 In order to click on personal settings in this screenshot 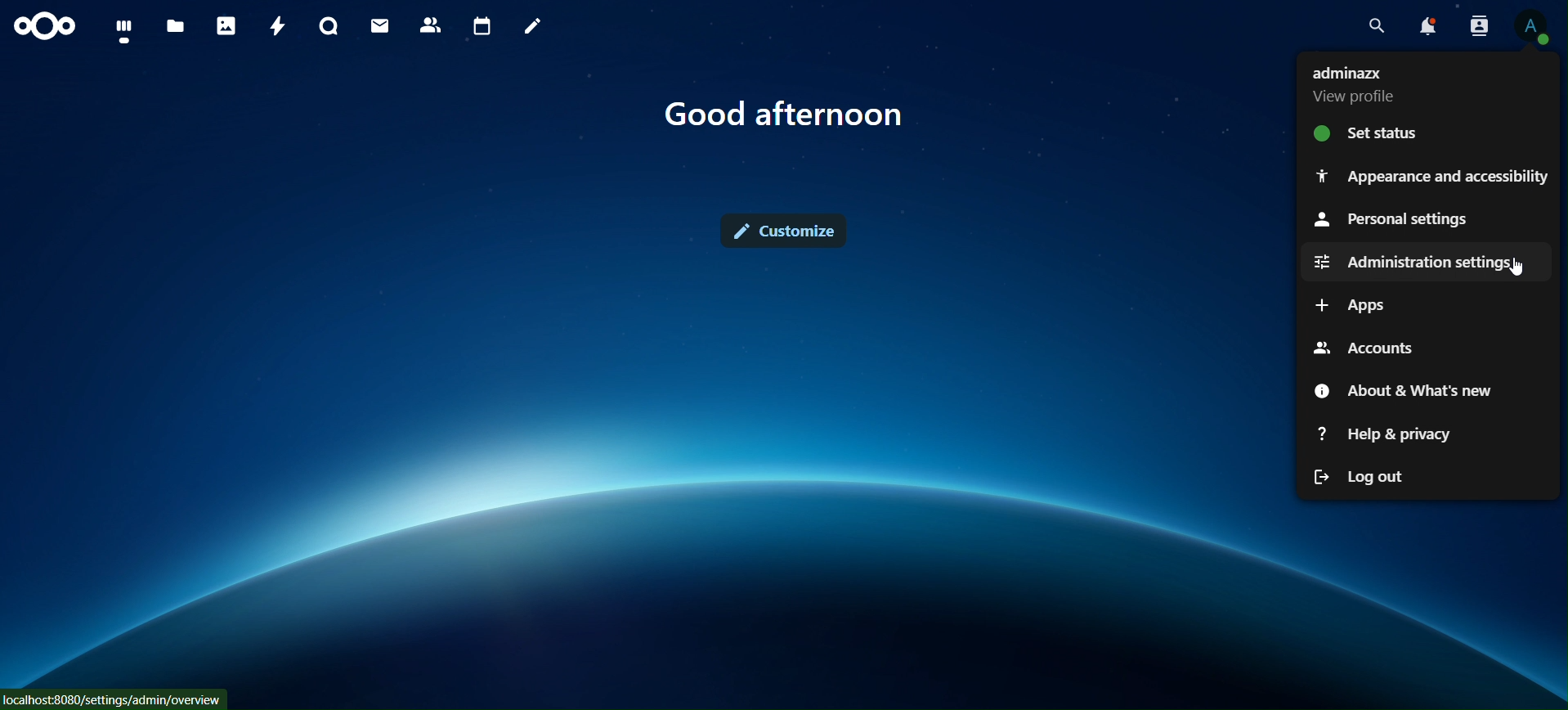, I will do `click(1390, 218)`.